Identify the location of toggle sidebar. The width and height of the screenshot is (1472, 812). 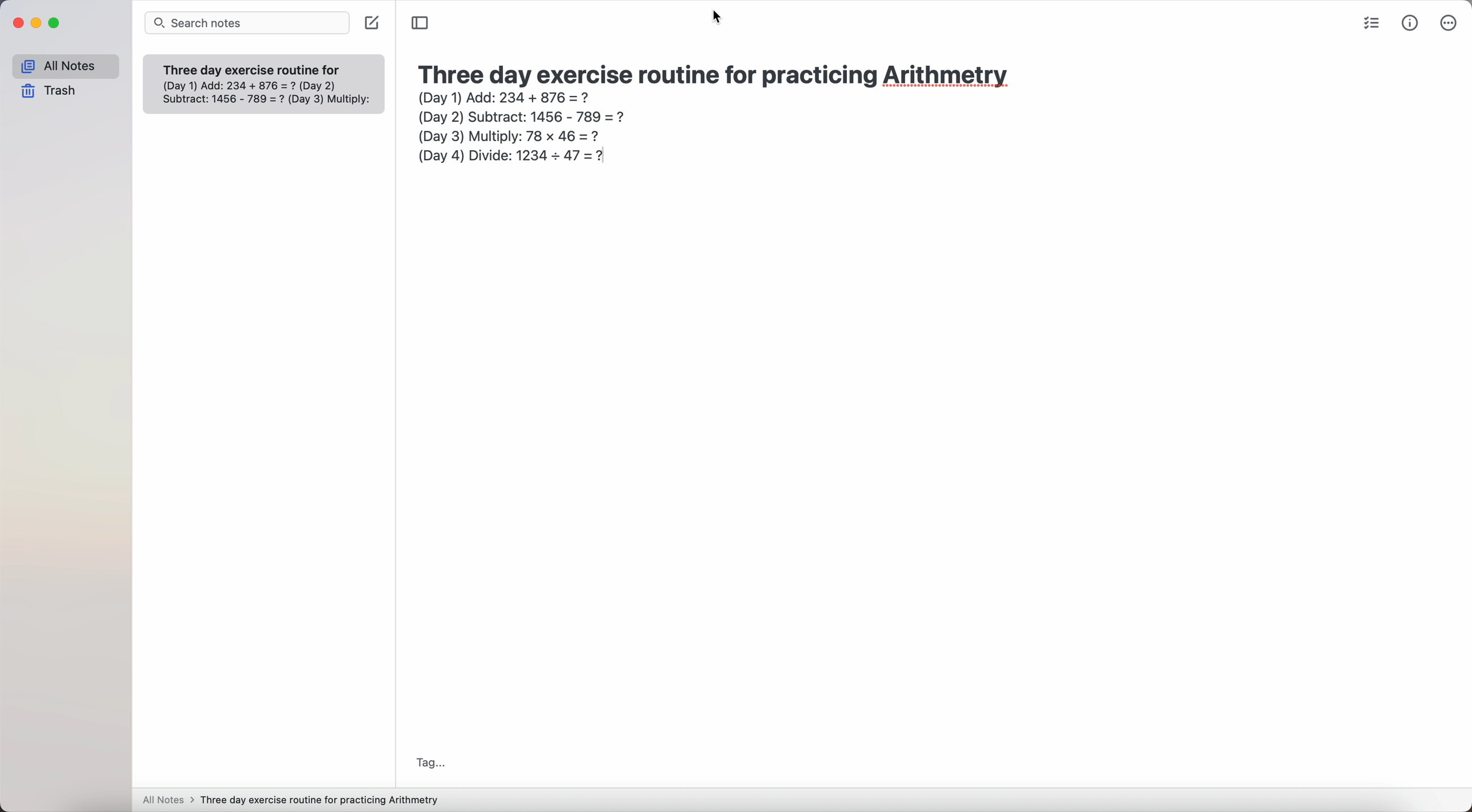
(421, 21).